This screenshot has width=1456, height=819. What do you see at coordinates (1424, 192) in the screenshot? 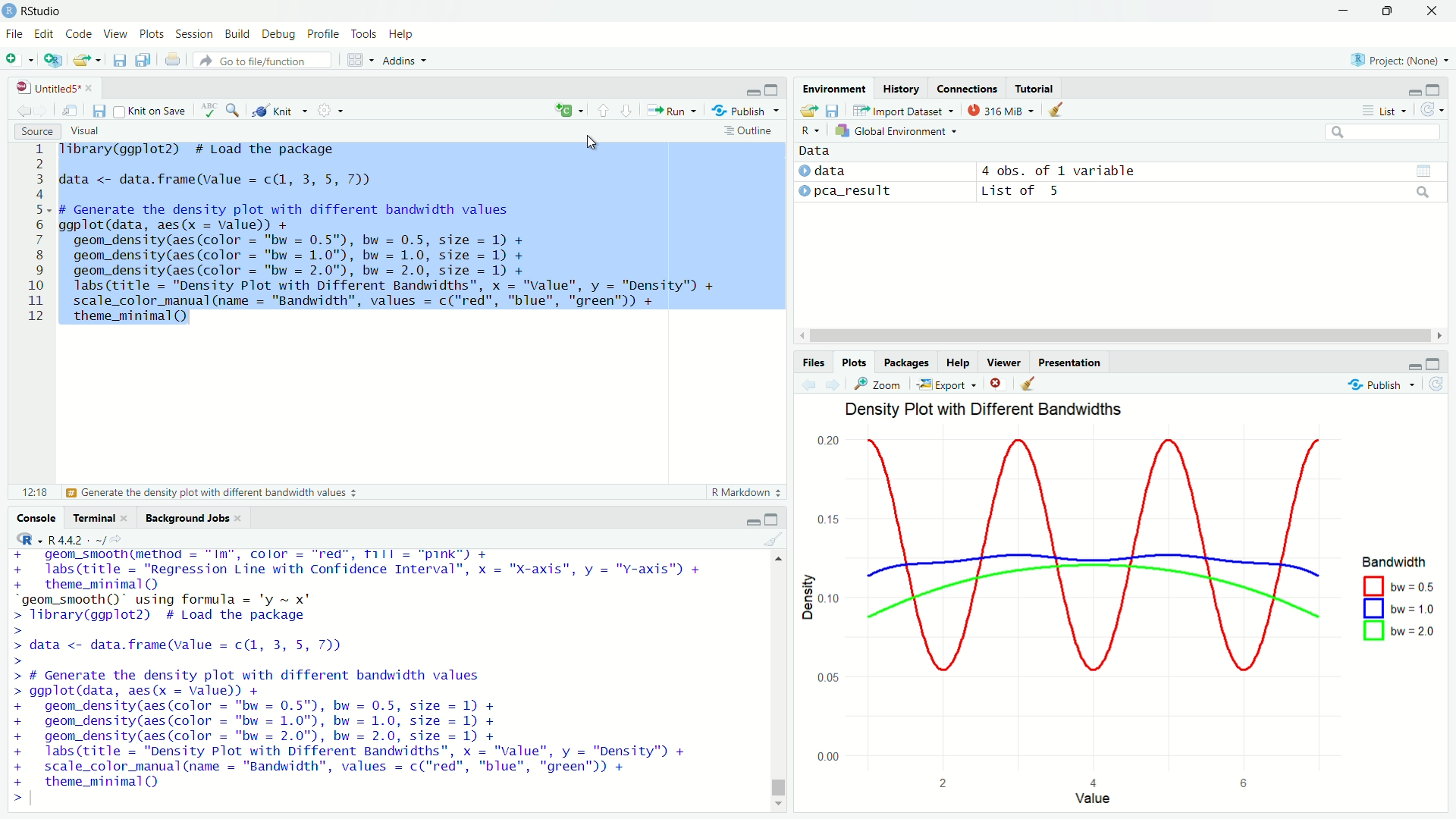
I see `search` at bounding box center [1424, 192].